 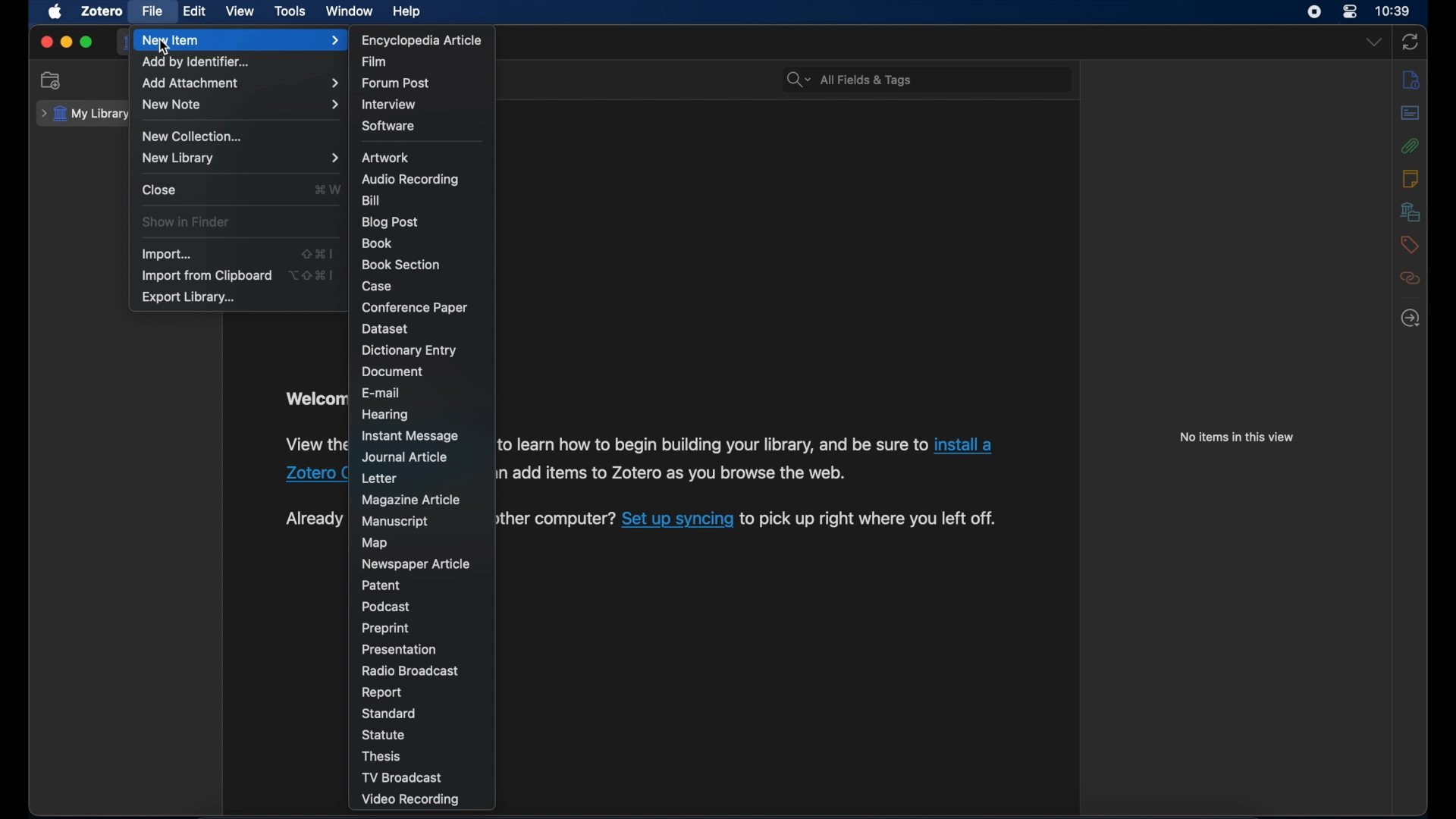 I want to click on blog post, so click(x=392, y=222).